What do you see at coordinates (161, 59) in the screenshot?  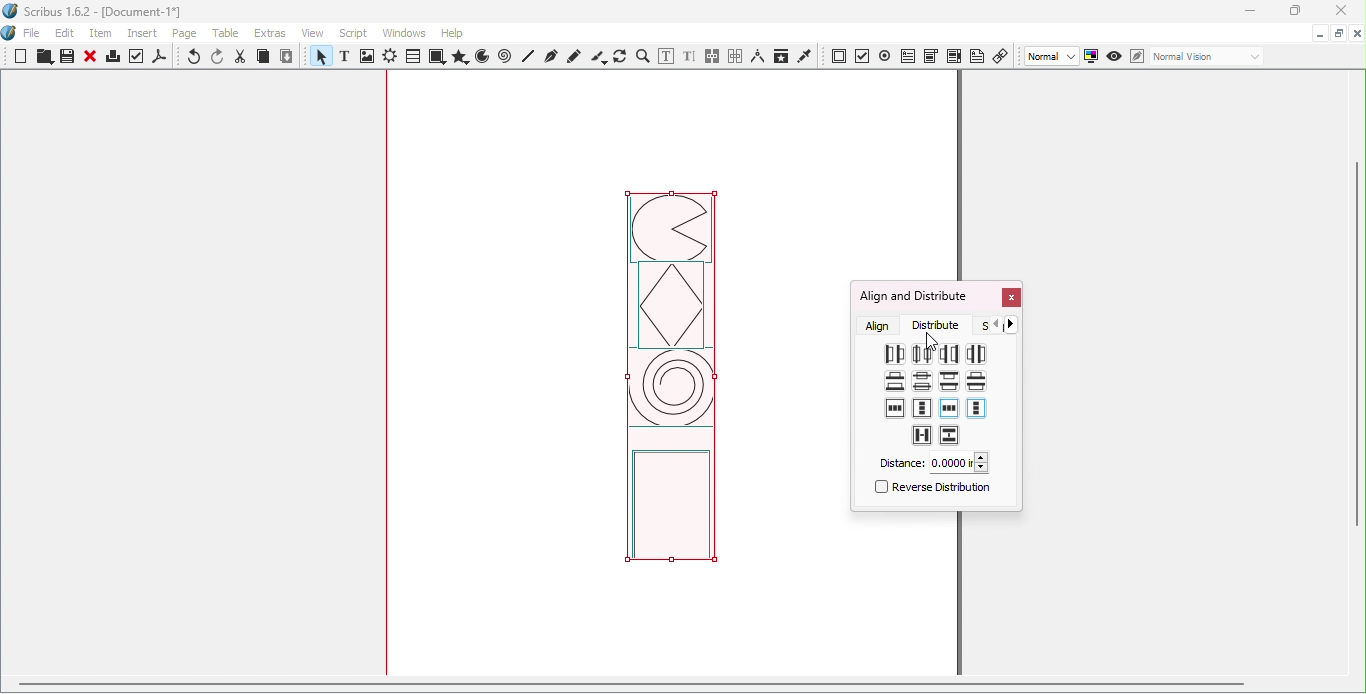 I see `save as PDF` at bounding box center [161, 59].